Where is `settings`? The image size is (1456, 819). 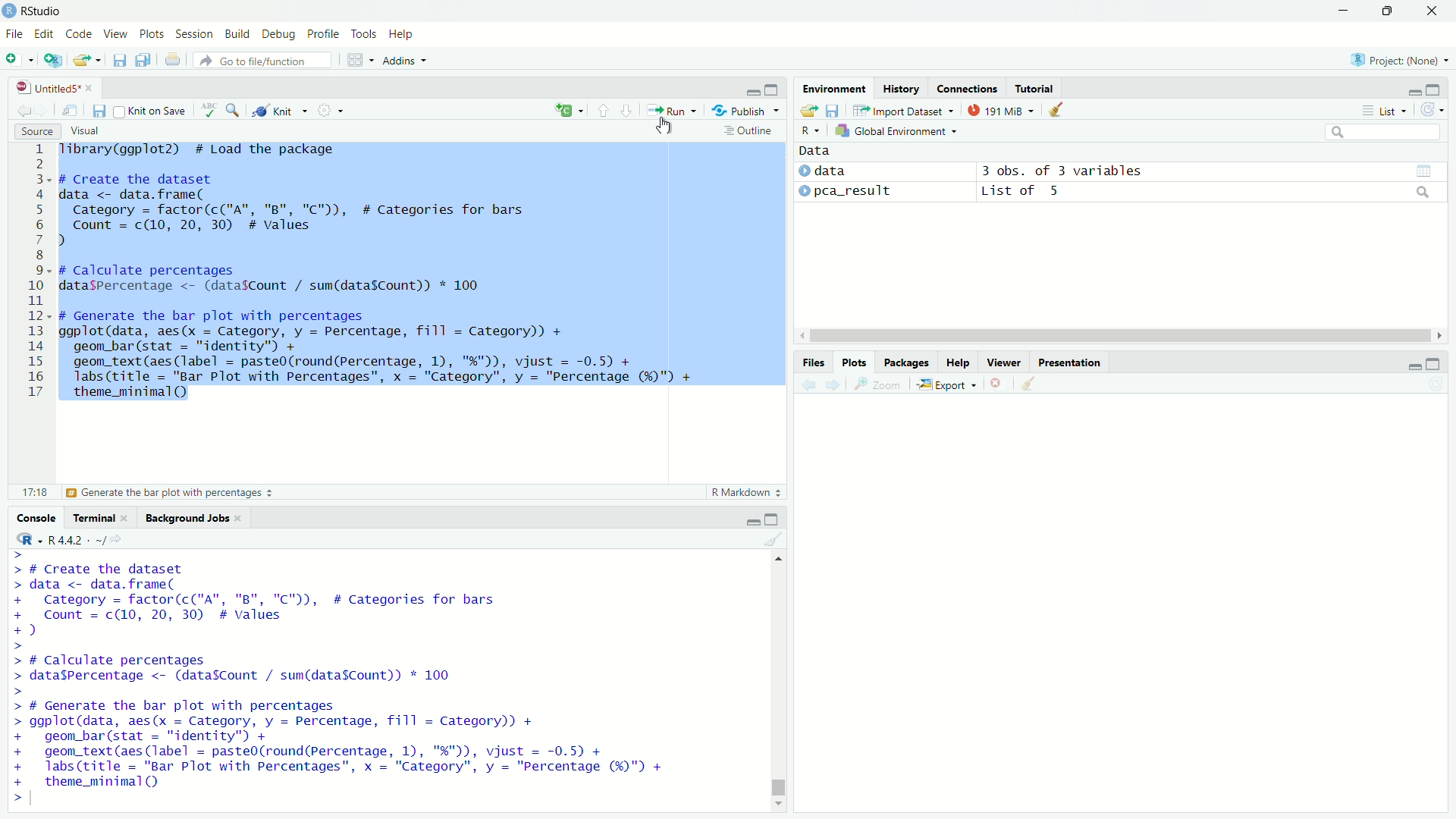 settings is located at coordinates (325, 109).